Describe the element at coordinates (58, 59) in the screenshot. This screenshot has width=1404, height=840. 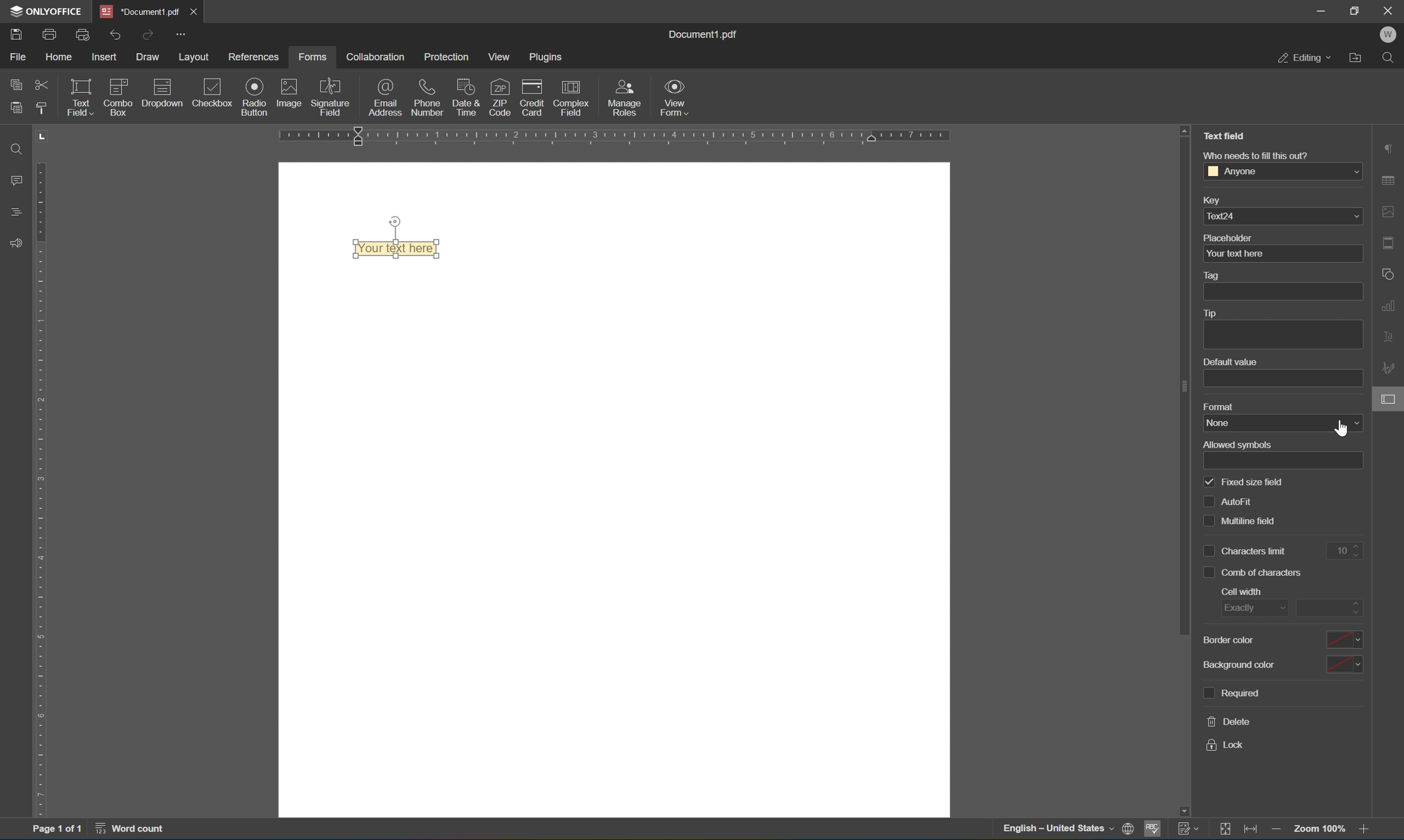
I see `home` at that location.